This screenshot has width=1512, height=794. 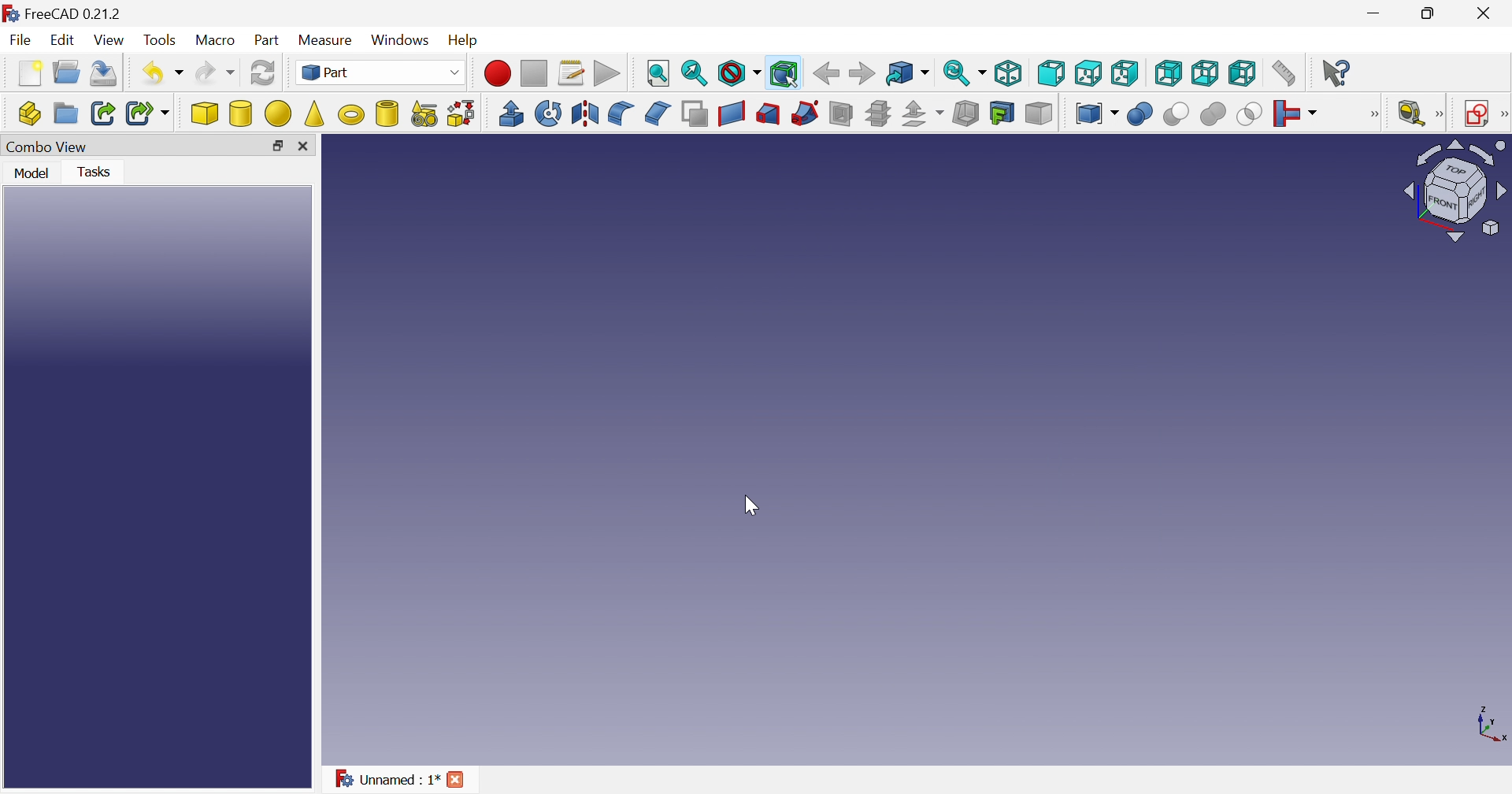 What do you see at coordinates (1338, 72) in the screenshot?
I see `What's this?` at bounding box center [1338, 72].